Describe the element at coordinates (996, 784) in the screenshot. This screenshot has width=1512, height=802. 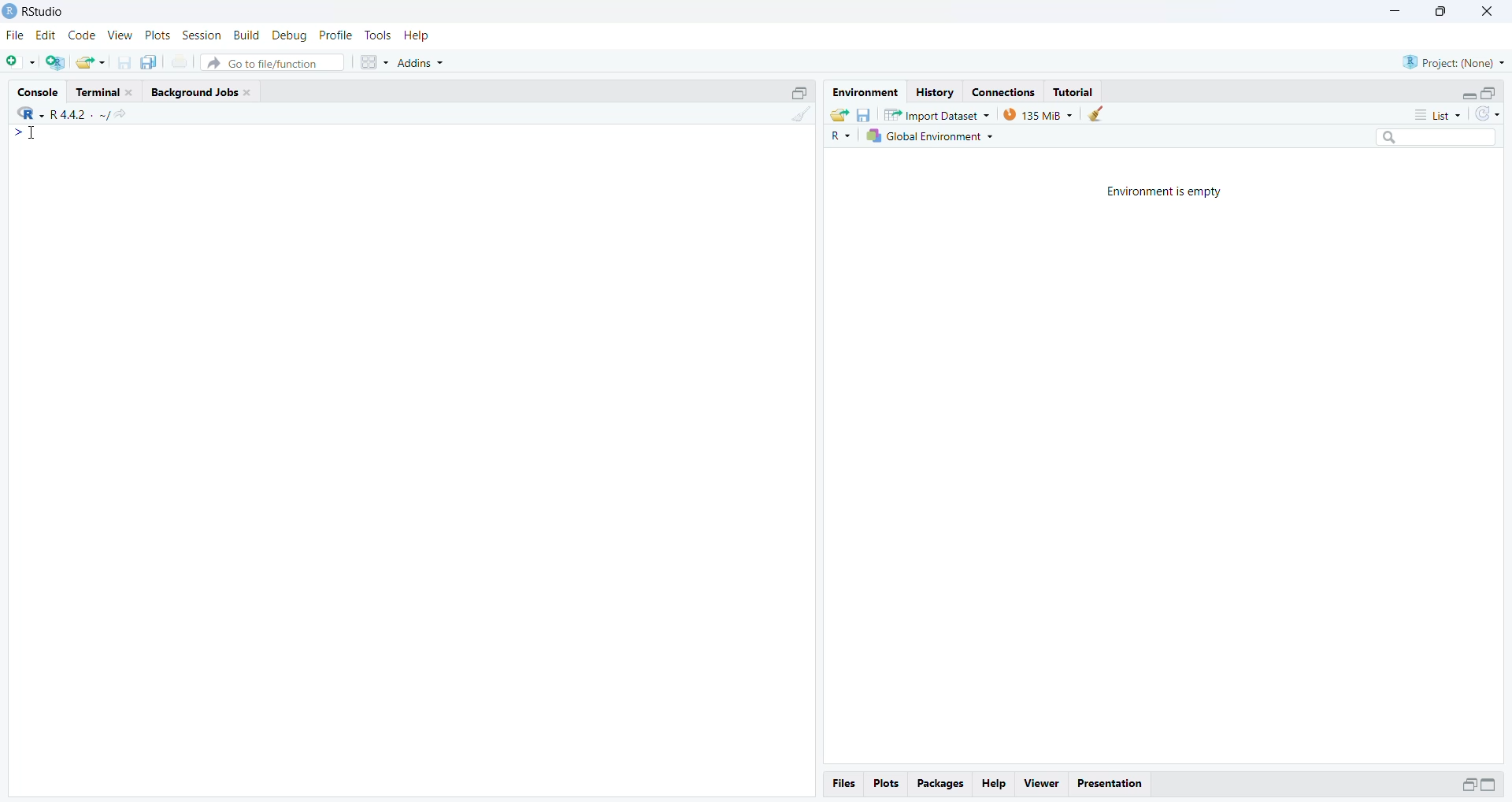
I see `Help` at that location.